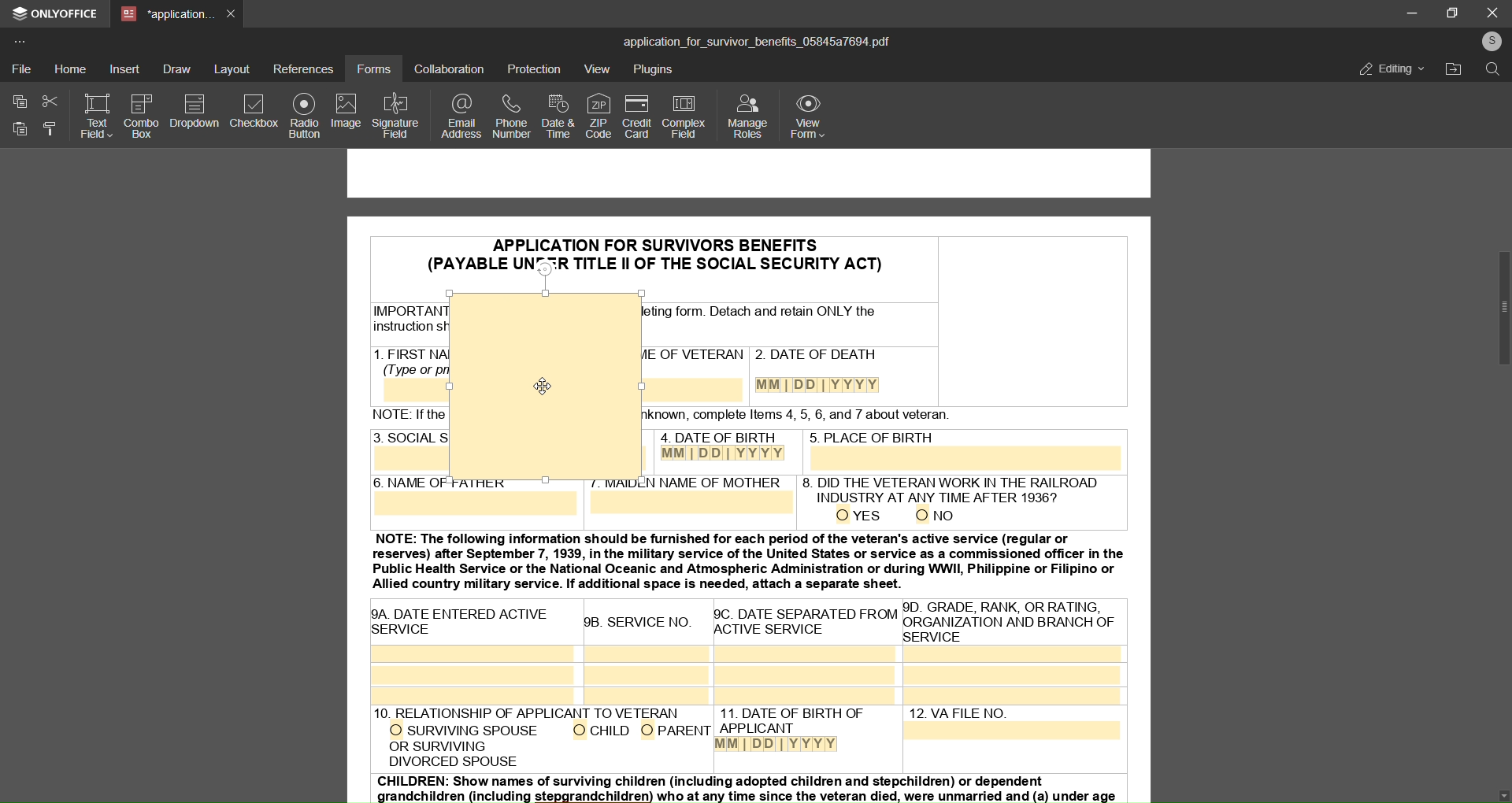 The height and width of the screenshot is (803, 1512). I want to click on PDF of application for survivors benefits, so click(751, 648).